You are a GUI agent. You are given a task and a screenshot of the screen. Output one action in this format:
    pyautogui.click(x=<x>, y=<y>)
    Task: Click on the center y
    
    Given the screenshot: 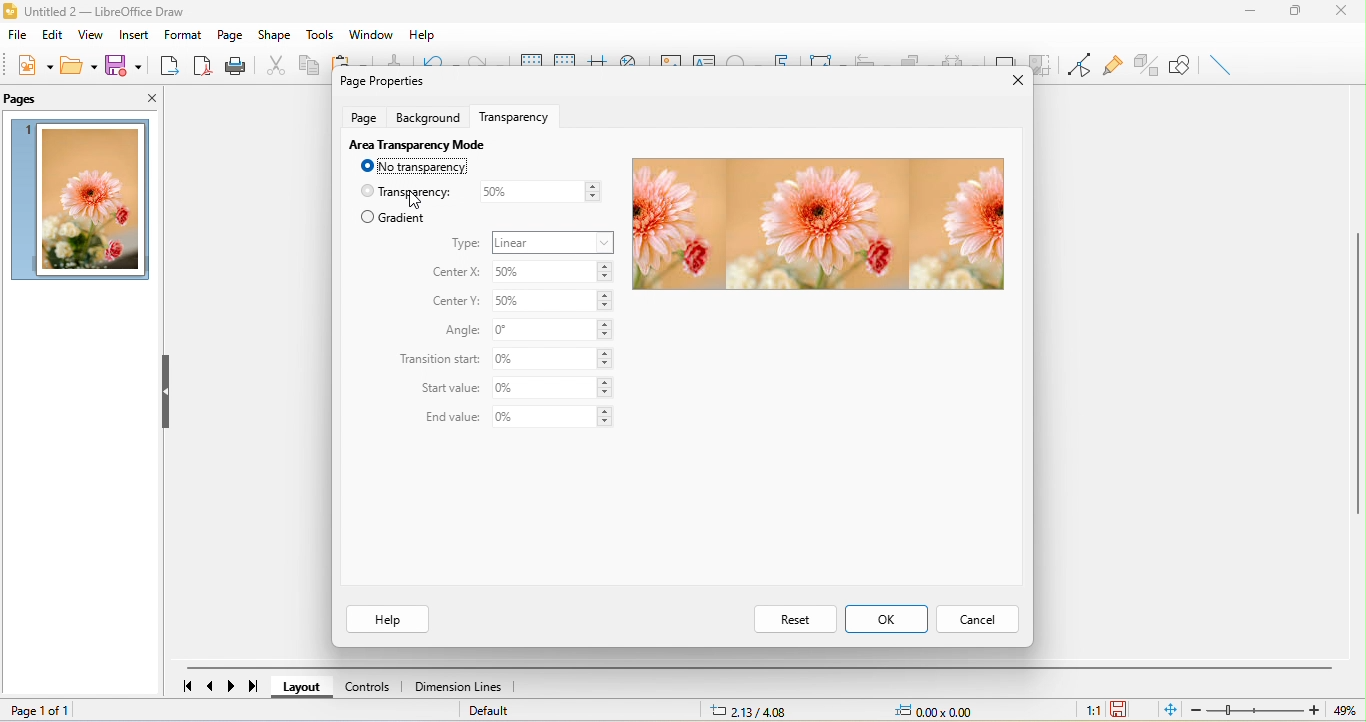 What is the action you would take?
    pyautogui.click(x=458, y=302)
    